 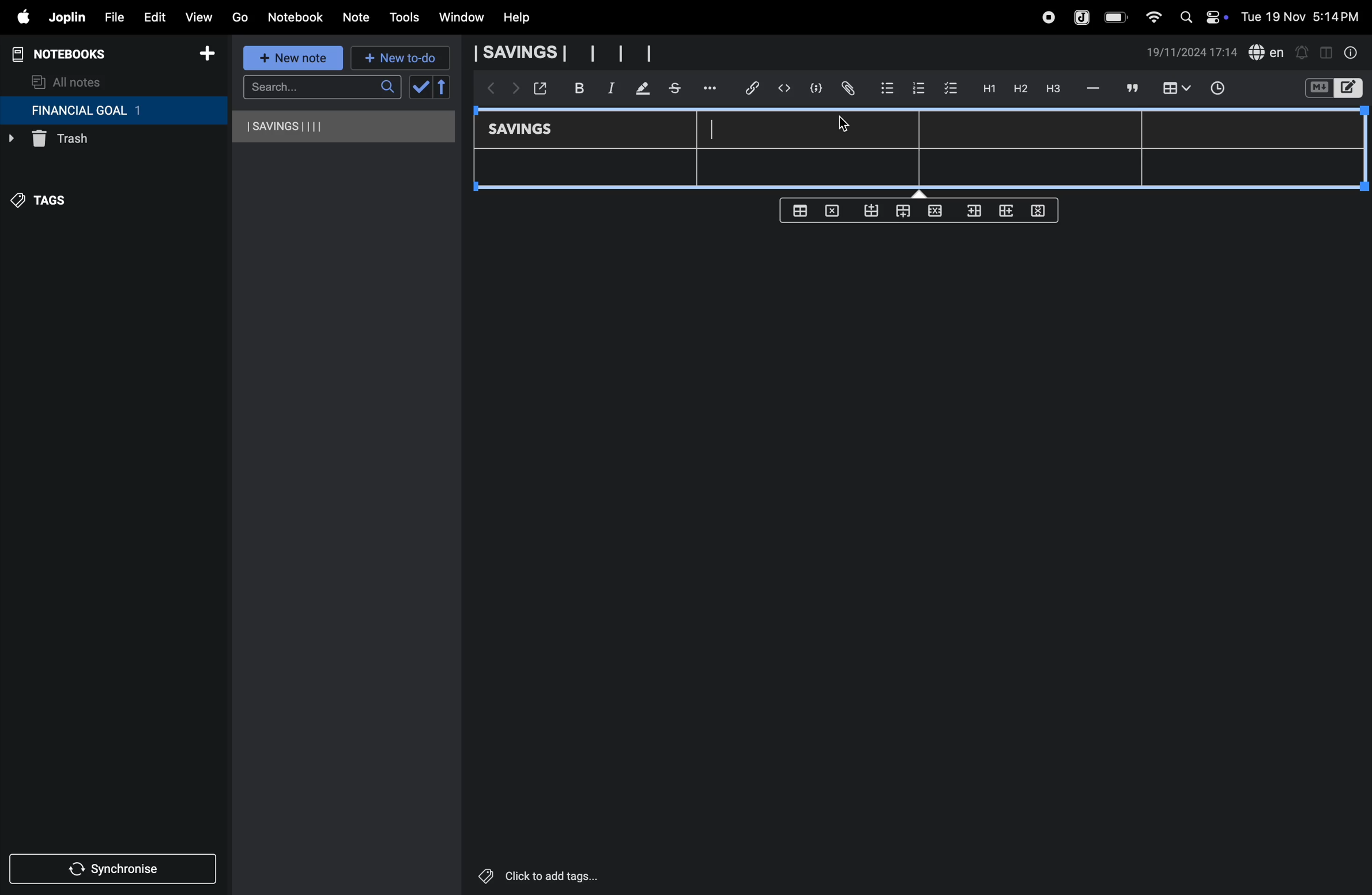 What do you see at coordinates (322, 87) in the screenshot?
I see `search` at bounding box center [322, 87].